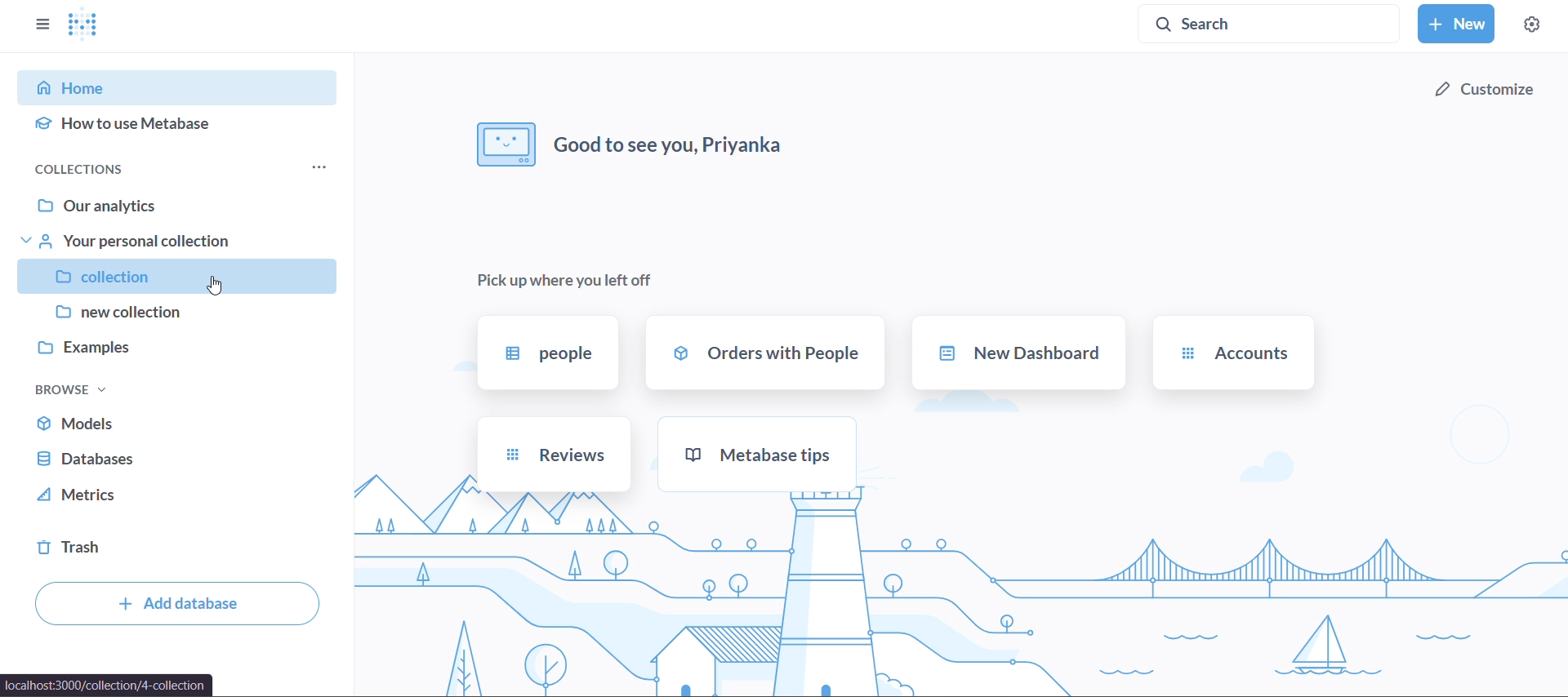 This screenshot has width=1568, height=697. Describe the element at coordinates (1490, 87) in the screenshot. I see `customize` at that location.